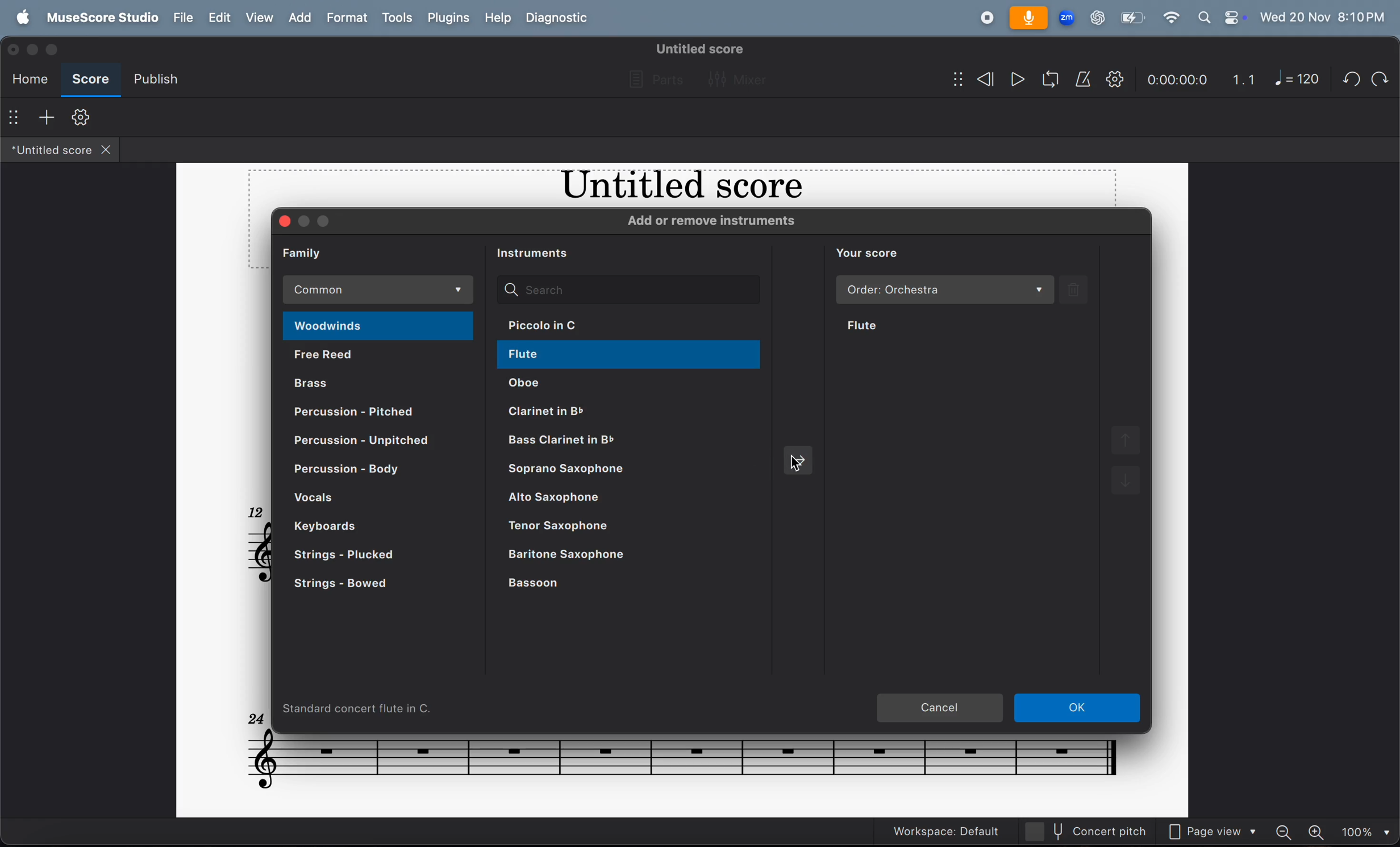  I want to click on move up, so click(1130, 440).